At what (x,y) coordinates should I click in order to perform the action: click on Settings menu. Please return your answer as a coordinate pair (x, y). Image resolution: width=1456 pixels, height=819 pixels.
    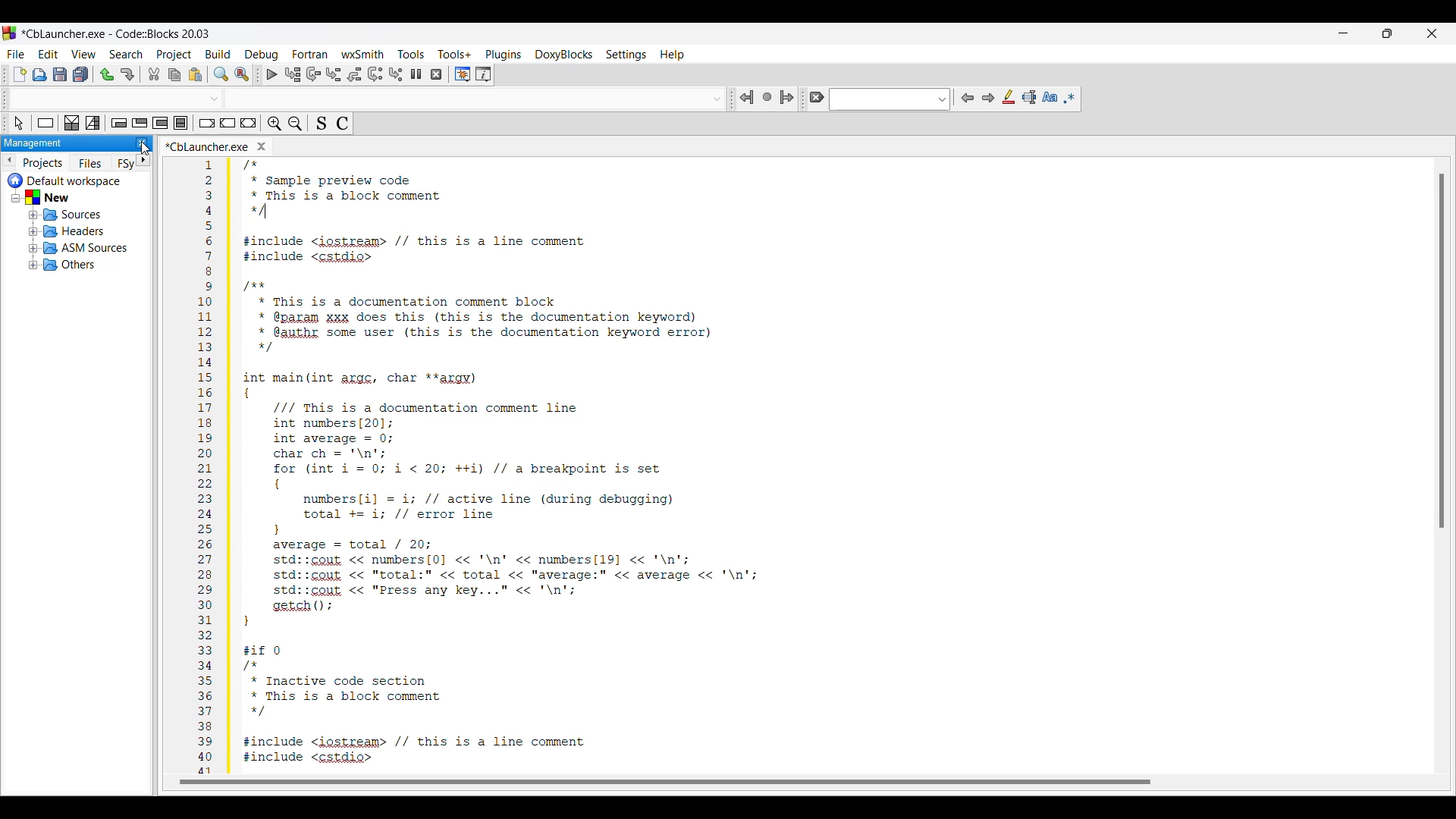
    Looking at the image, I should click on (626, 55).